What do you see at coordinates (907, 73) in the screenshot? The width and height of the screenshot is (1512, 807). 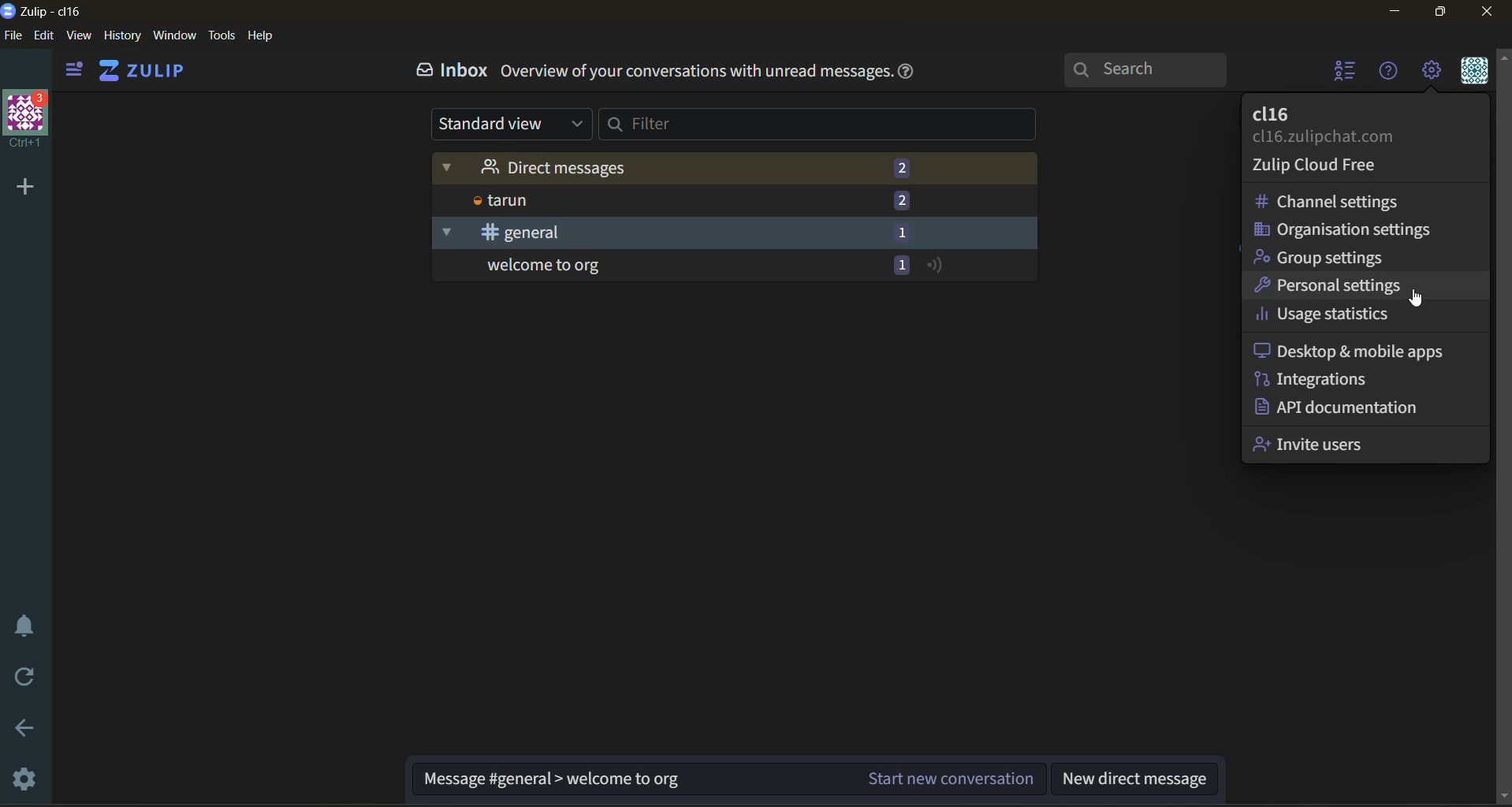 I see `help` at bounding box center [907, 73].